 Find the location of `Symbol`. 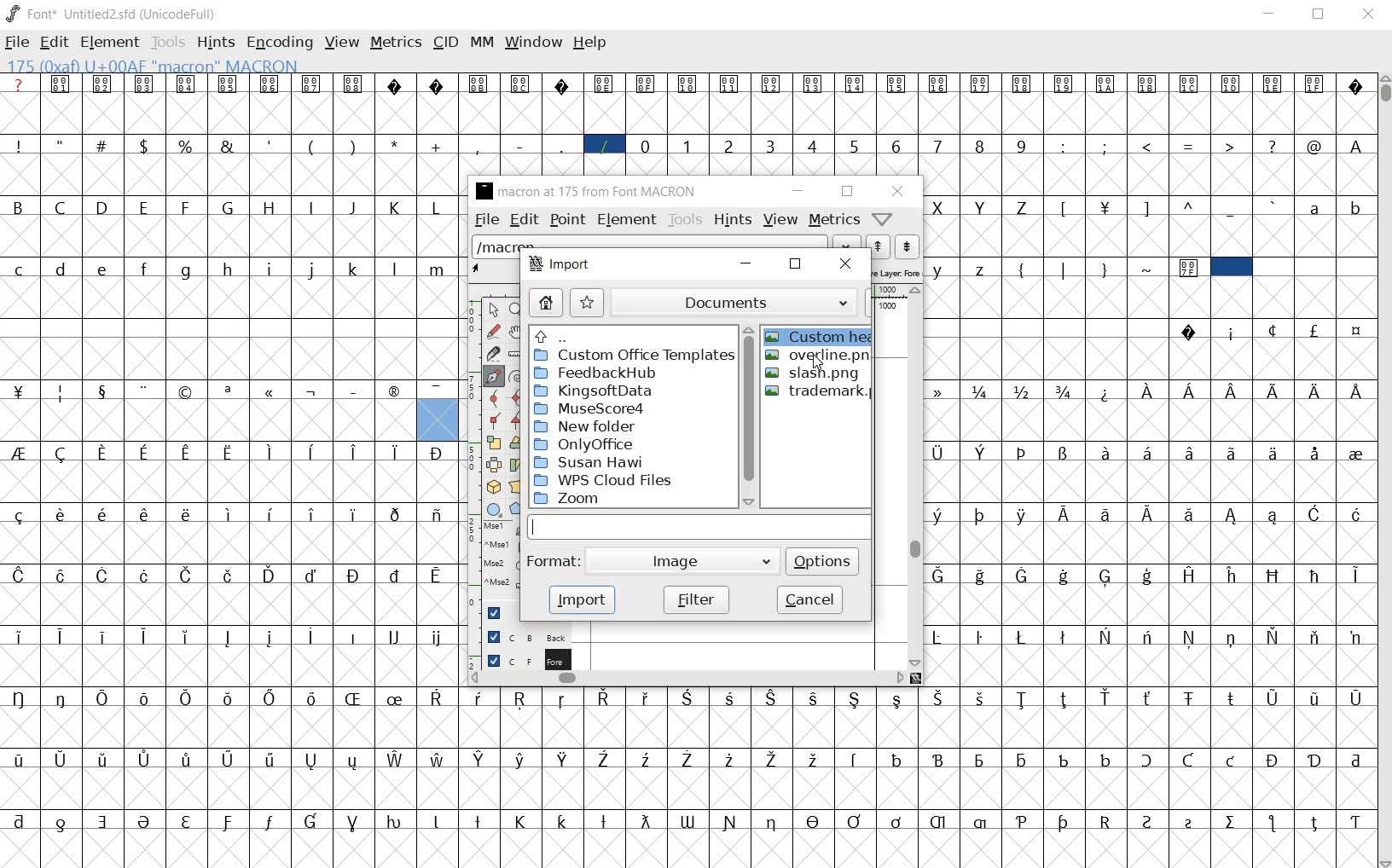

Symbol is located at coordinates (20, 574).